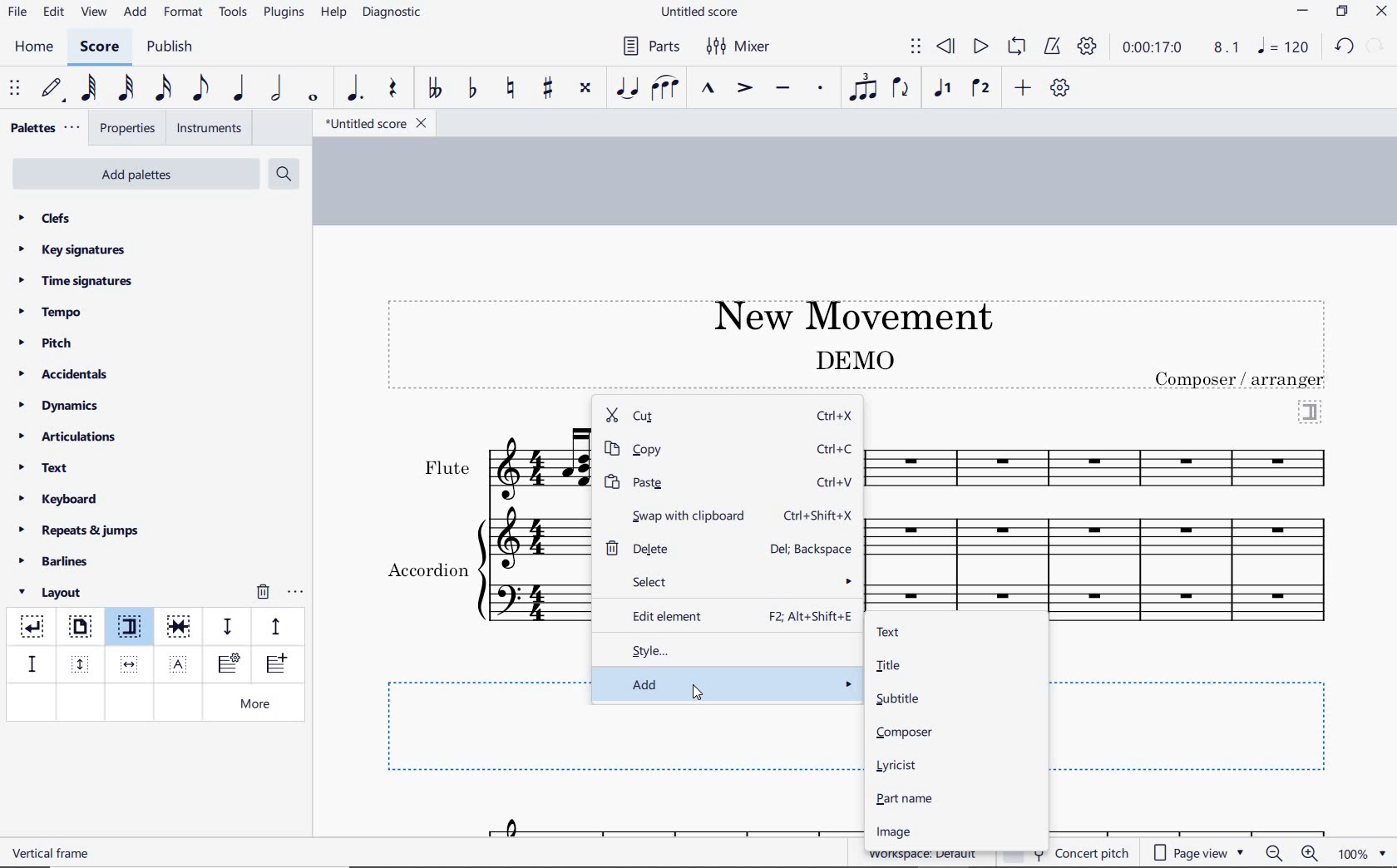  I want to click on style, so click(728, 649).